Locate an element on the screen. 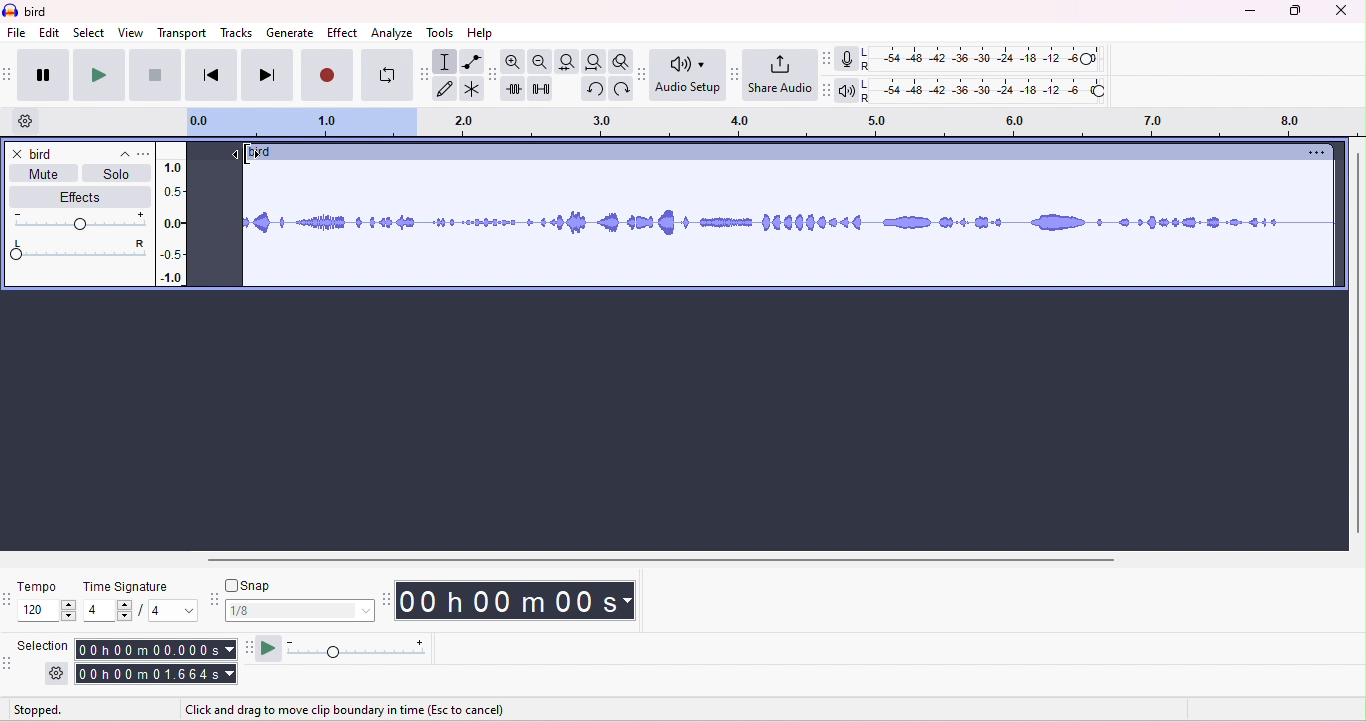  edit tools is located at coordinates (492, 73).